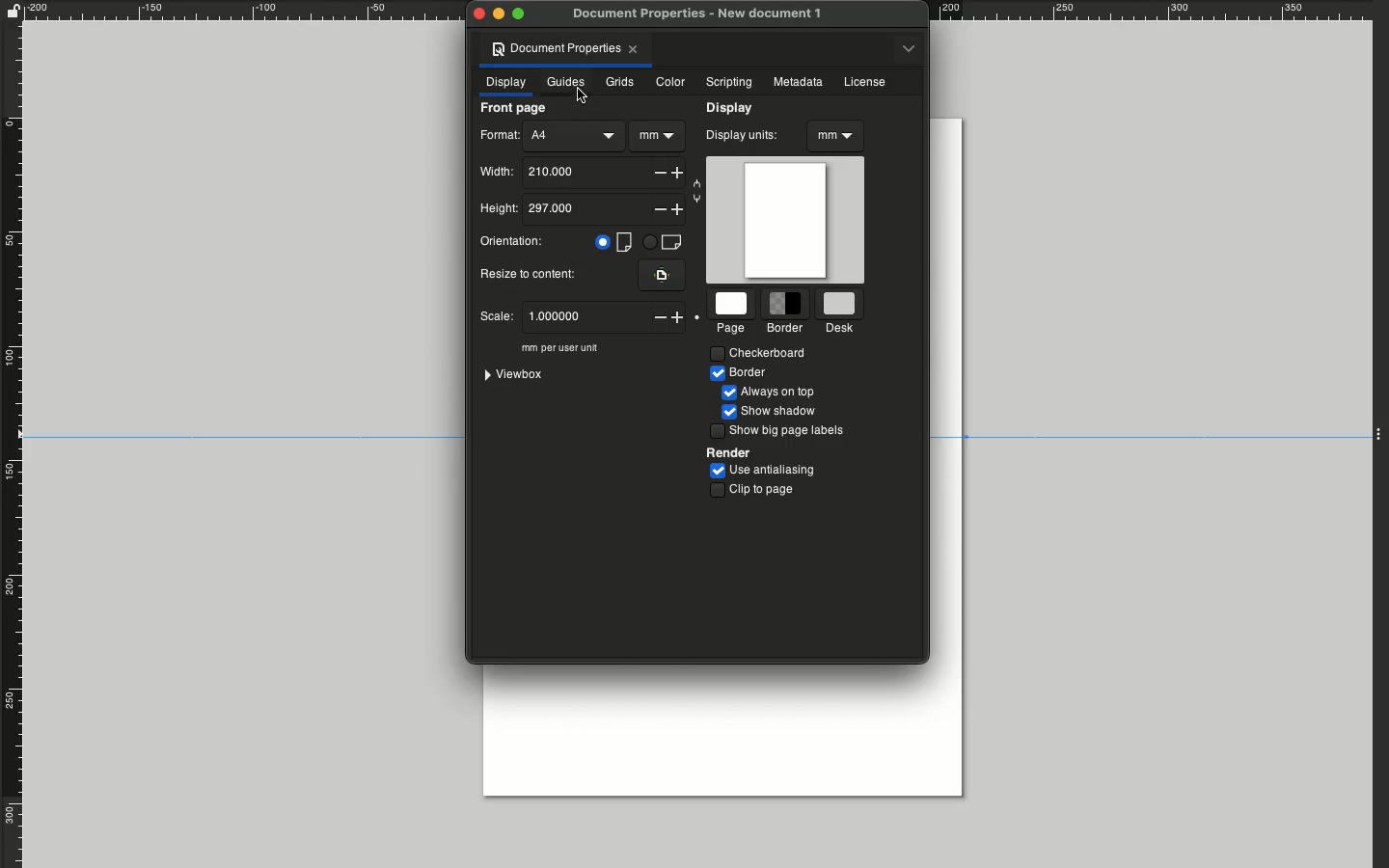 The width and height of the screenshot is (1389, 868). Describe the element at coordinates (701, 14) in the screenshot. I see `Document properties - new document 1` at that location.